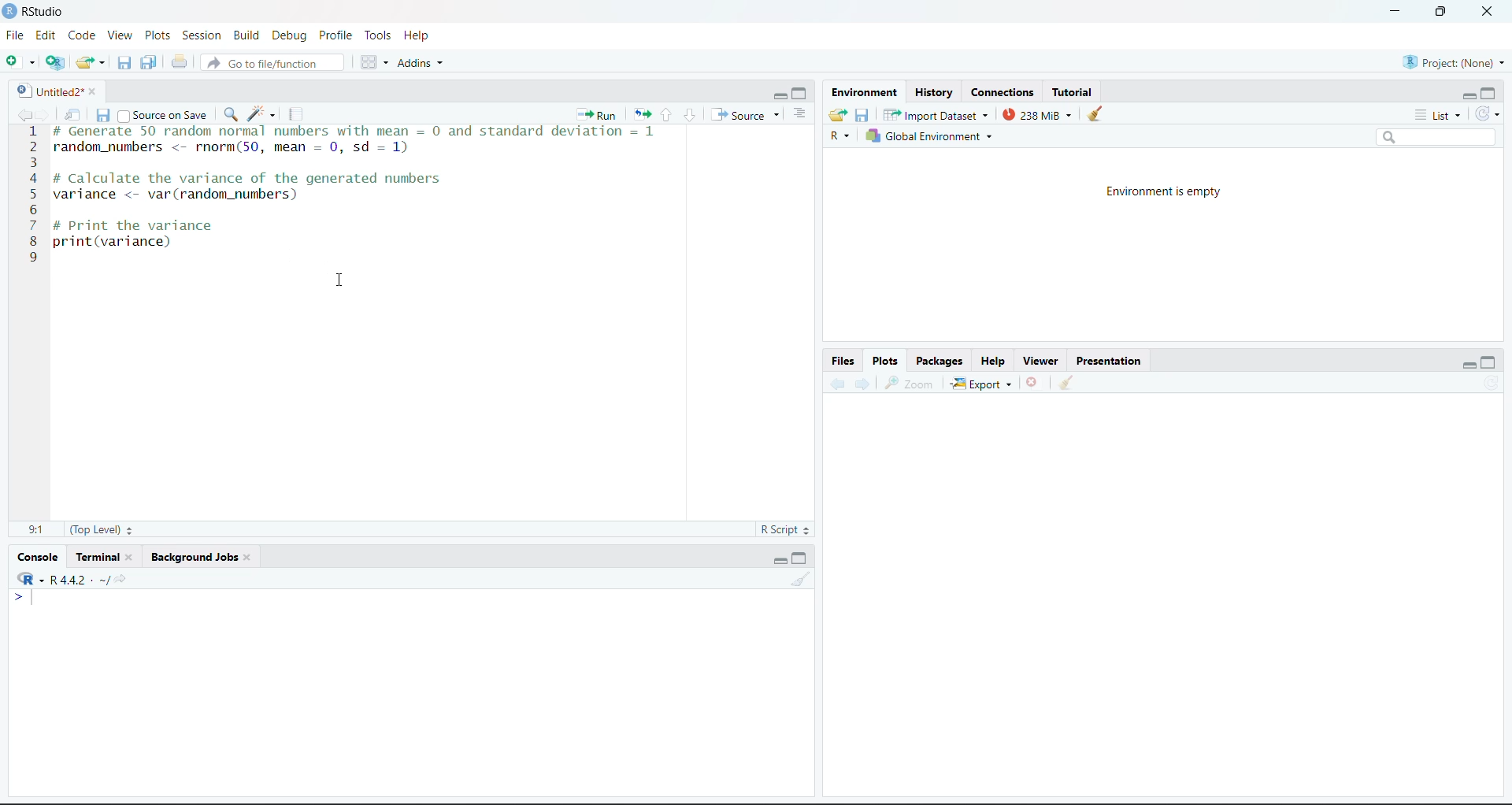 The image size is (1512, 805). I want to click on clear, so click(1095, 113).